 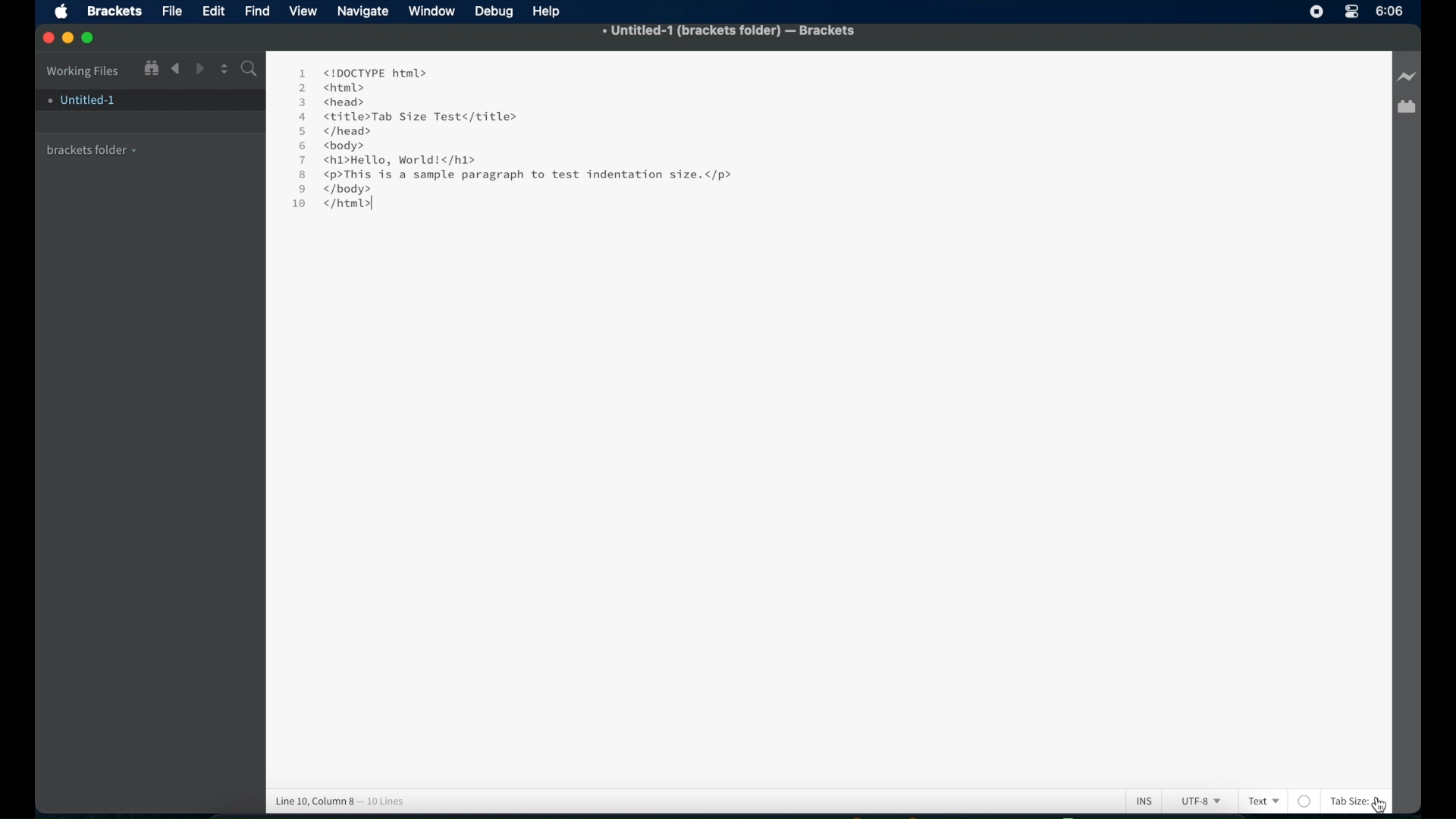 I want to click on 3 <head>, so click(x=334, y=101).